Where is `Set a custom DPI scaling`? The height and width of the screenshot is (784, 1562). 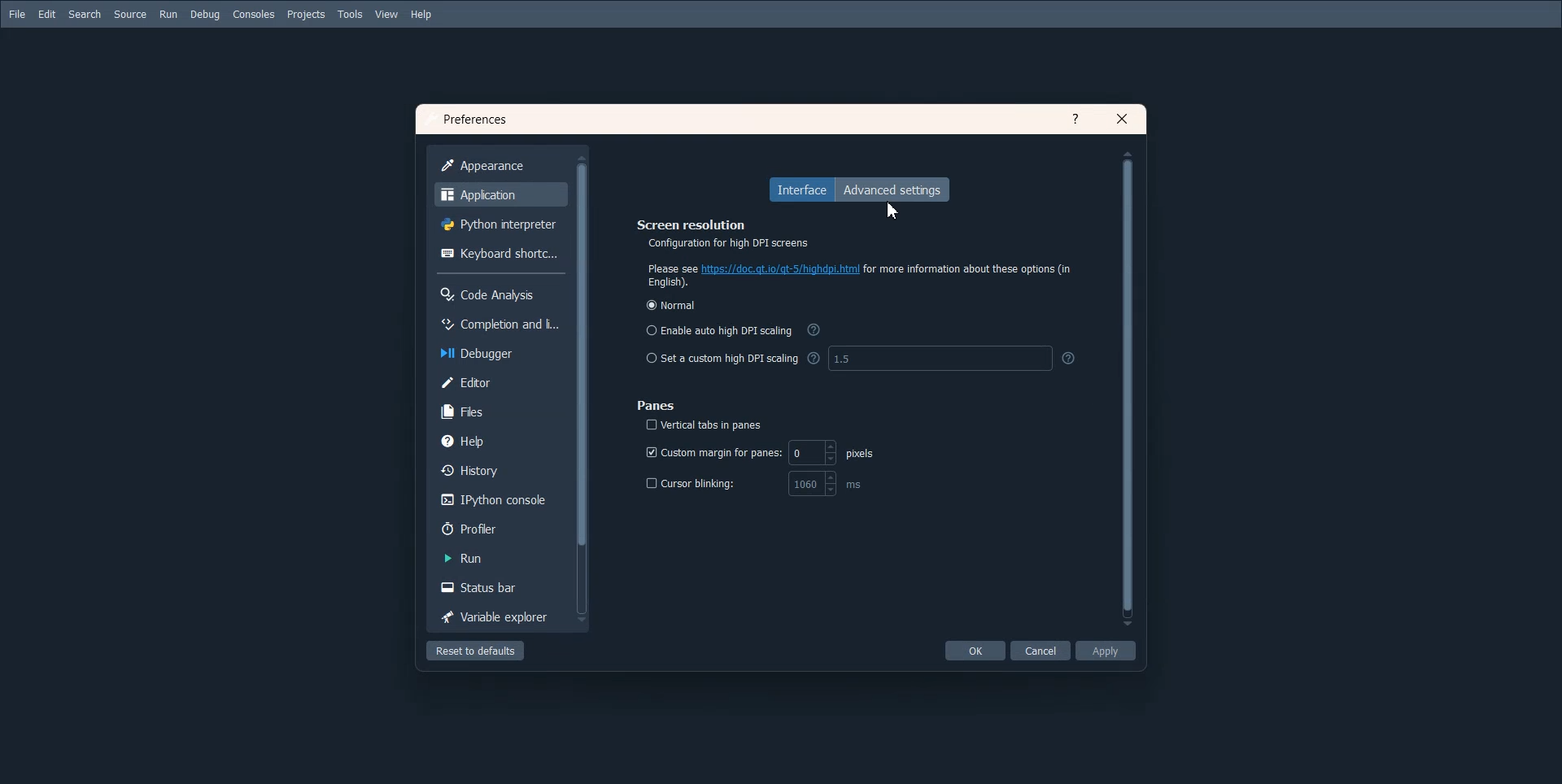
Set a custom DPI scaling is located at coordinates (720, 359).